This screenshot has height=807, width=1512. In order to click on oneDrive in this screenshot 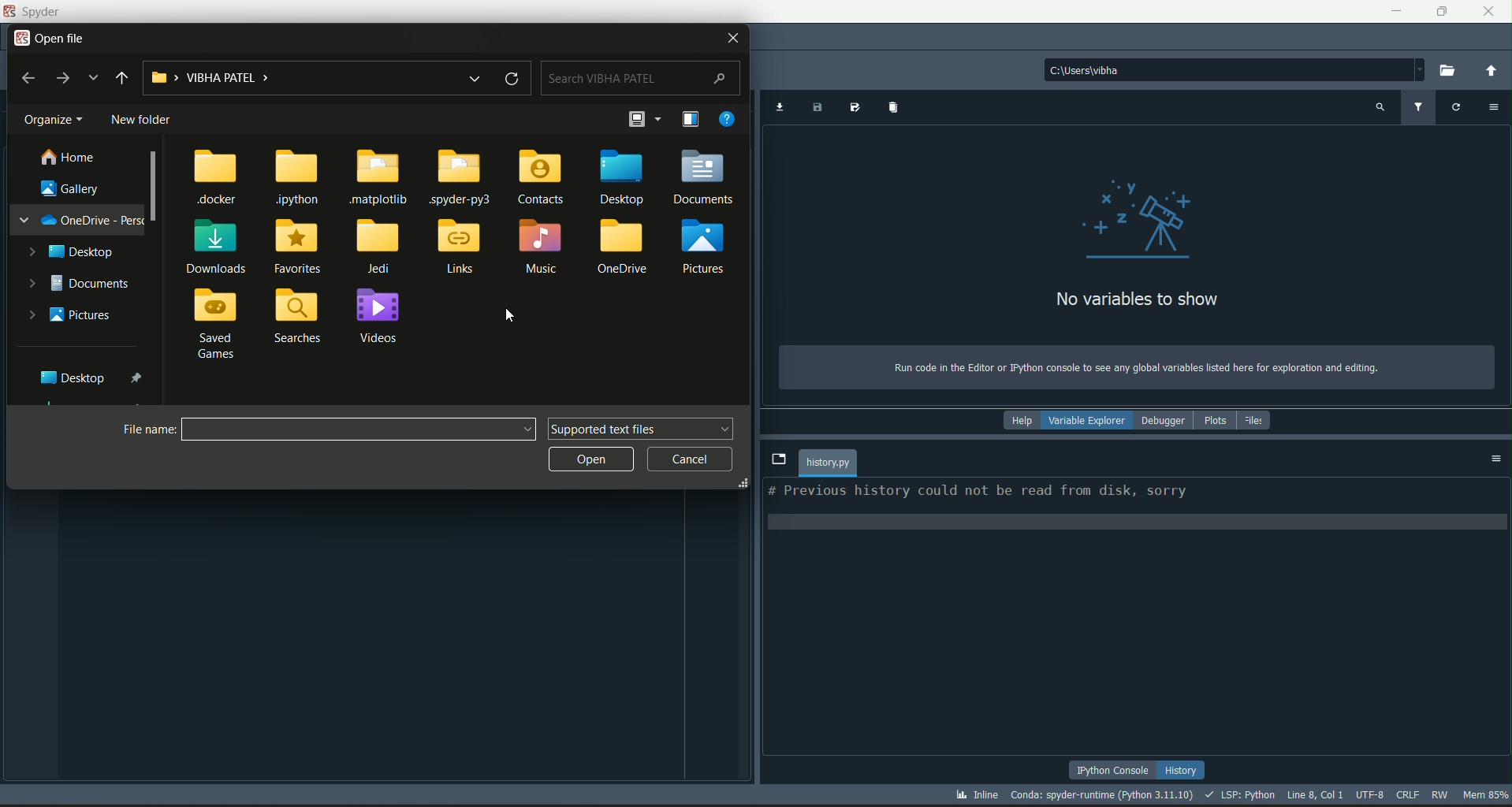, I will do `click(626, 248)`.